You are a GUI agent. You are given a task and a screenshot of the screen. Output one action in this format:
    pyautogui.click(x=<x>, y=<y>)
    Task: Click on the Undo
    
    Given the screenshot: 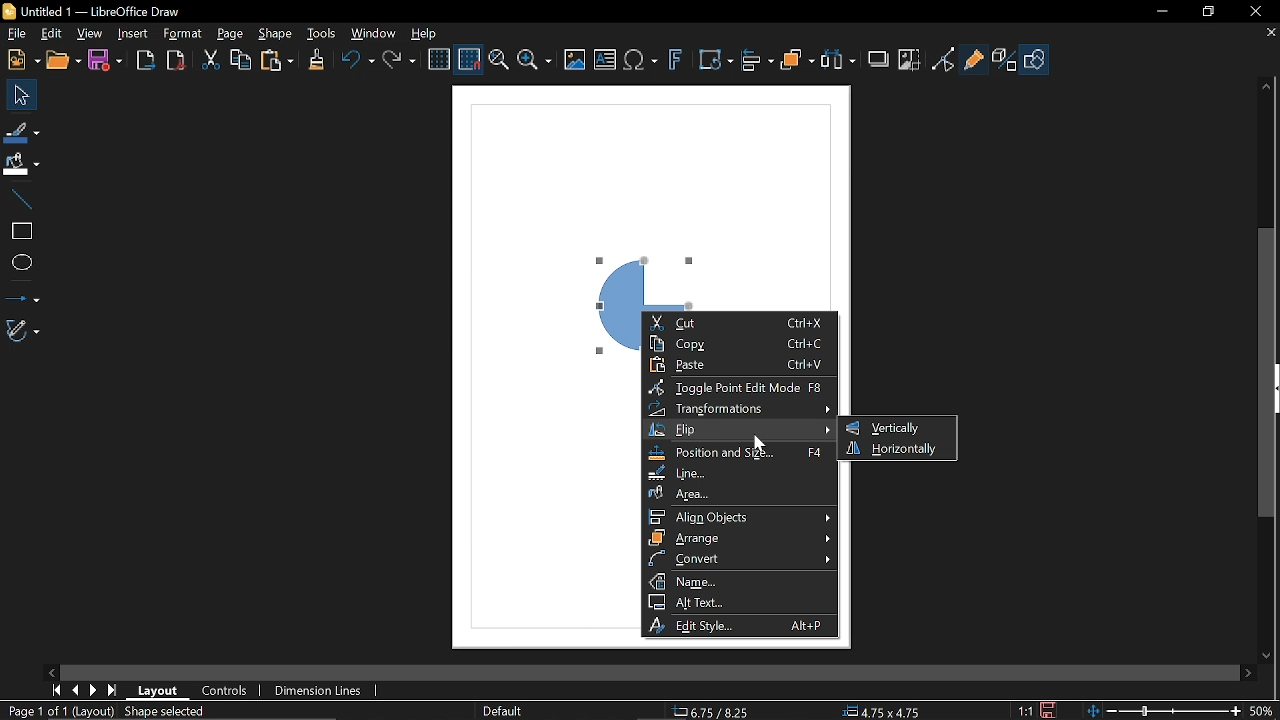 What is the action you would take?
    pyautogui.click(x=355, y=61)
    